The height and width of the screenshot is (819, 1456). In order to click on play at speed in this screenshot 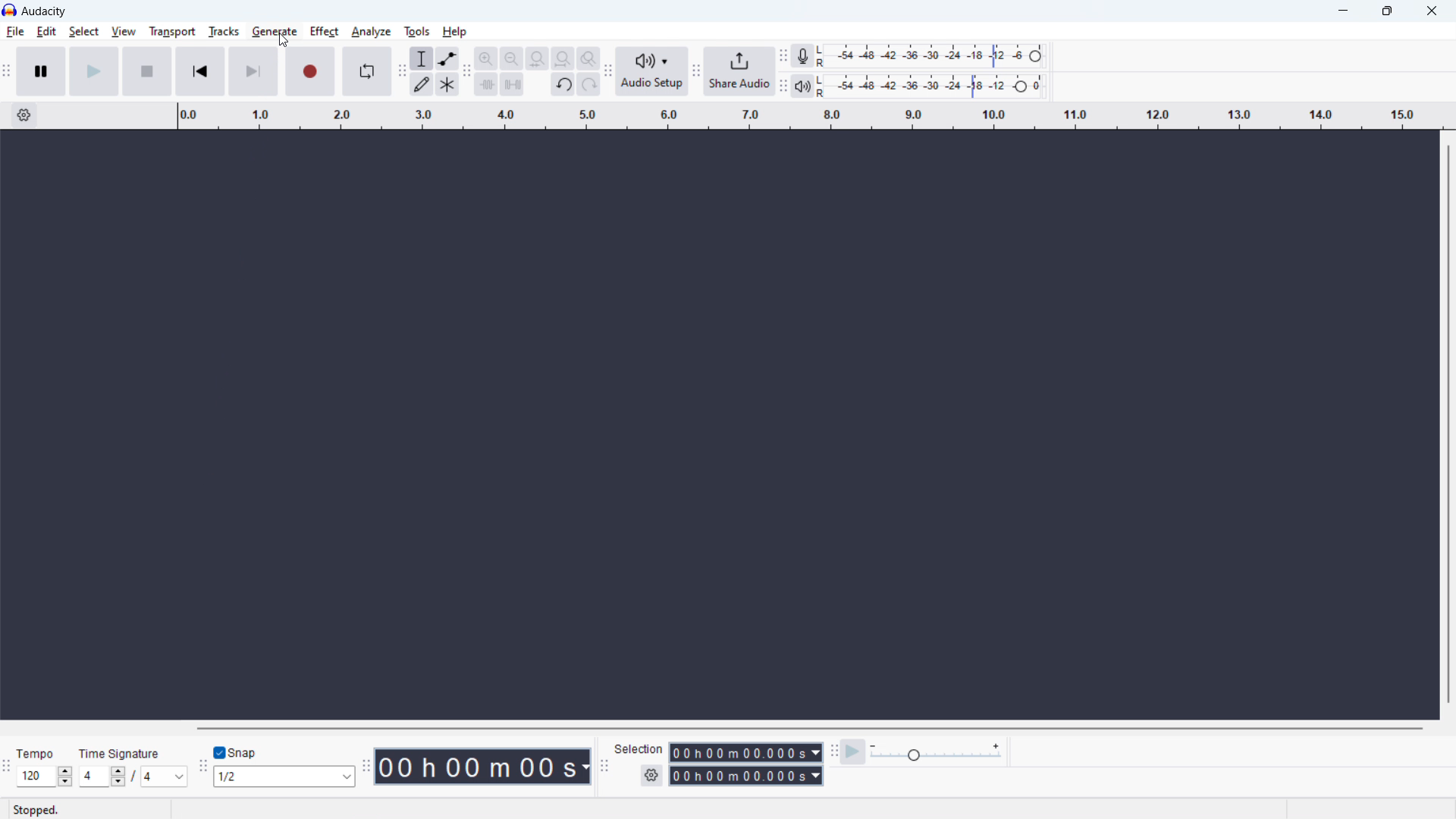, I will do `click(853, 752)`.